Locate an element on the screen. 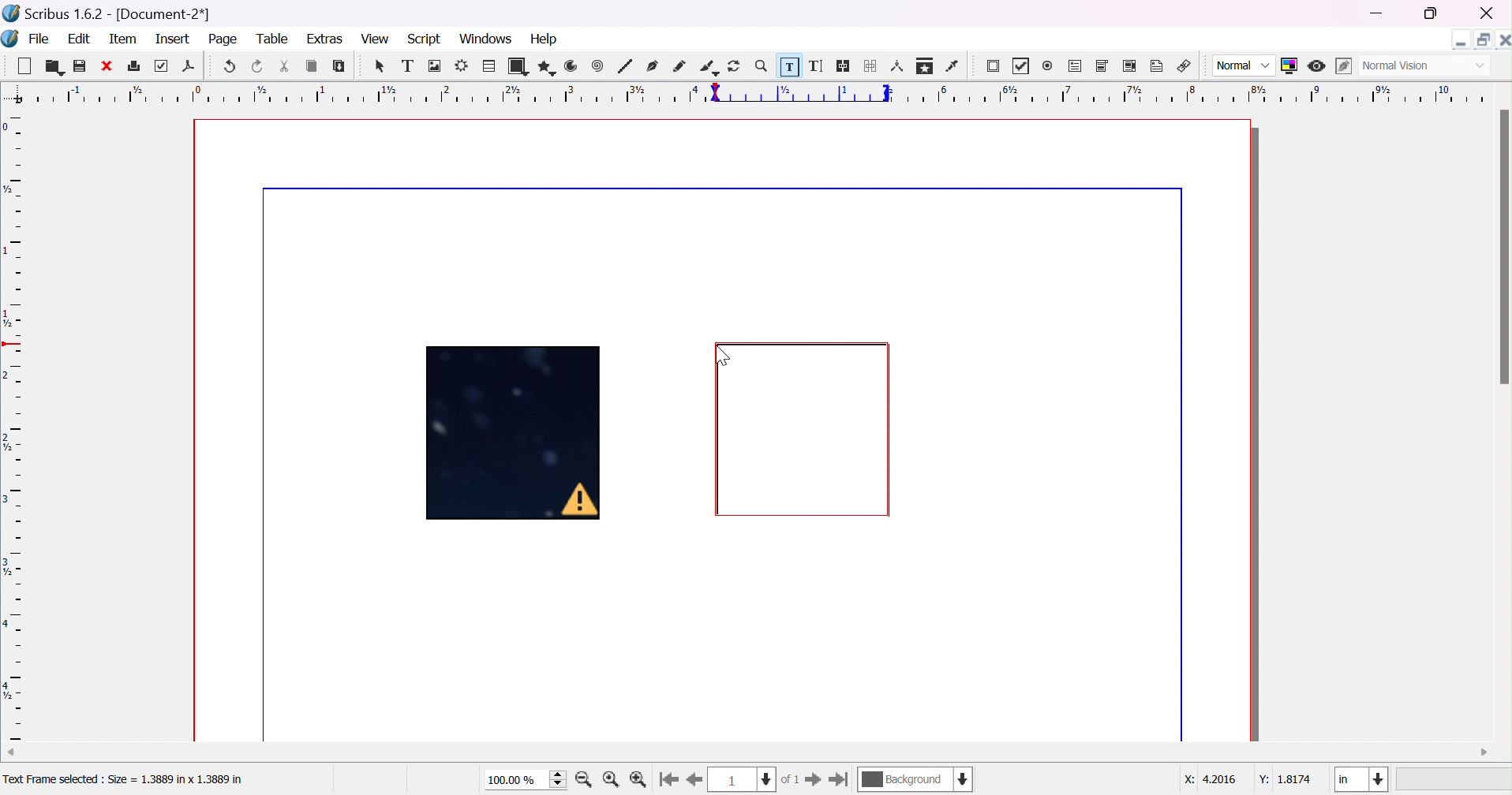 Image resolution: width=1512 pixels, height=795 pixels. shape is located at coordinates (517, 66).